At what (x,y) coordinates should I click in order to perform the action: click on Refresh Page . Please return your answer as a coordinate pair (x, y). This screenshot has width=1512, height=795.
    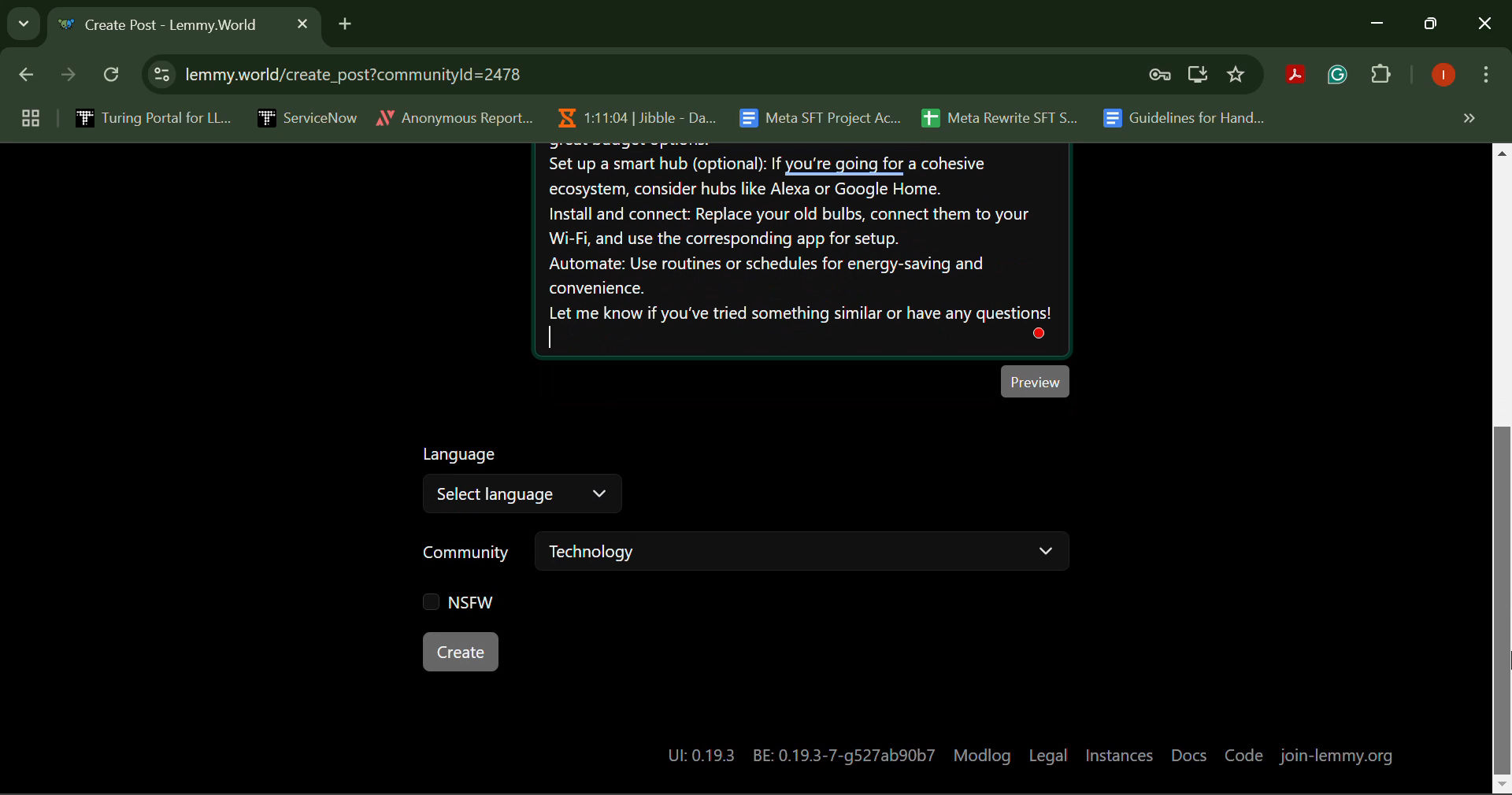
    Looking at the image, I should click on (113, 76).